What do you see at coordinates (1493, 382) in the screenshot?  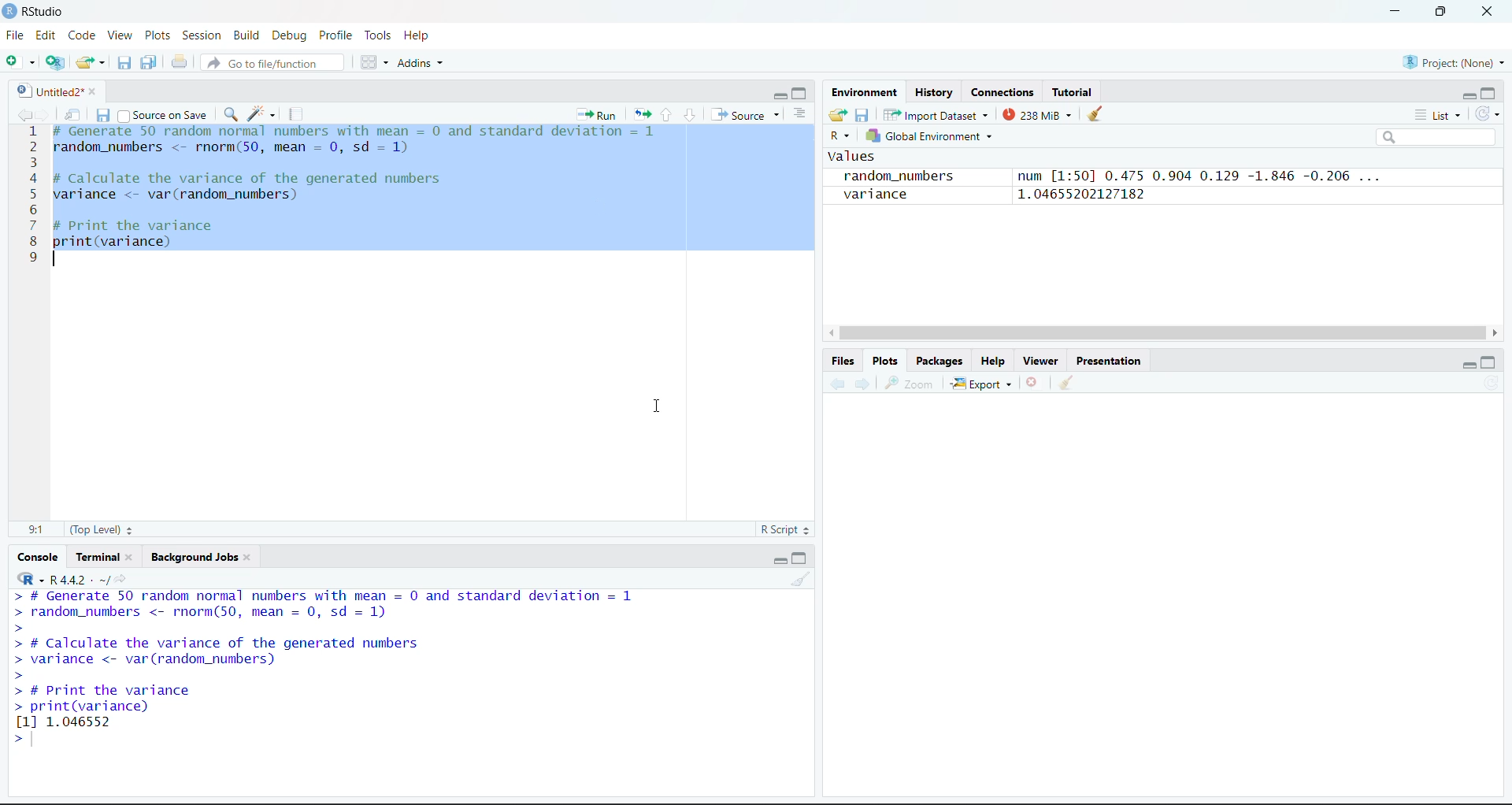 I see `refresh` at bounding box center [1493, 382].